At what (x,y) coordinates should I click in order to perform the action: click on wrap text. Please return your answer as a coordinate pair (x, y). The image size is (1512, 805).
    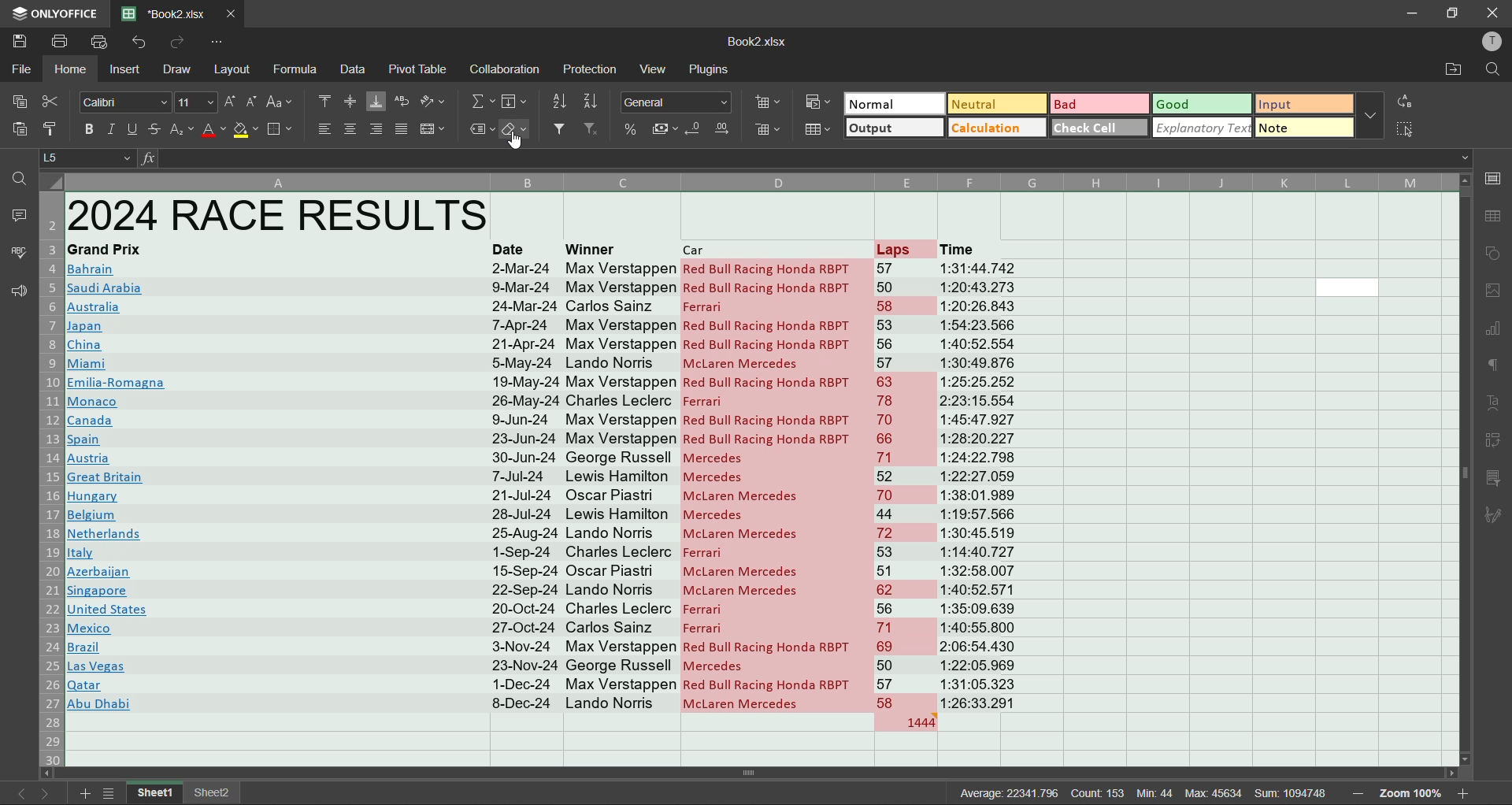
    Looking at the image, I should click on (400, 103).